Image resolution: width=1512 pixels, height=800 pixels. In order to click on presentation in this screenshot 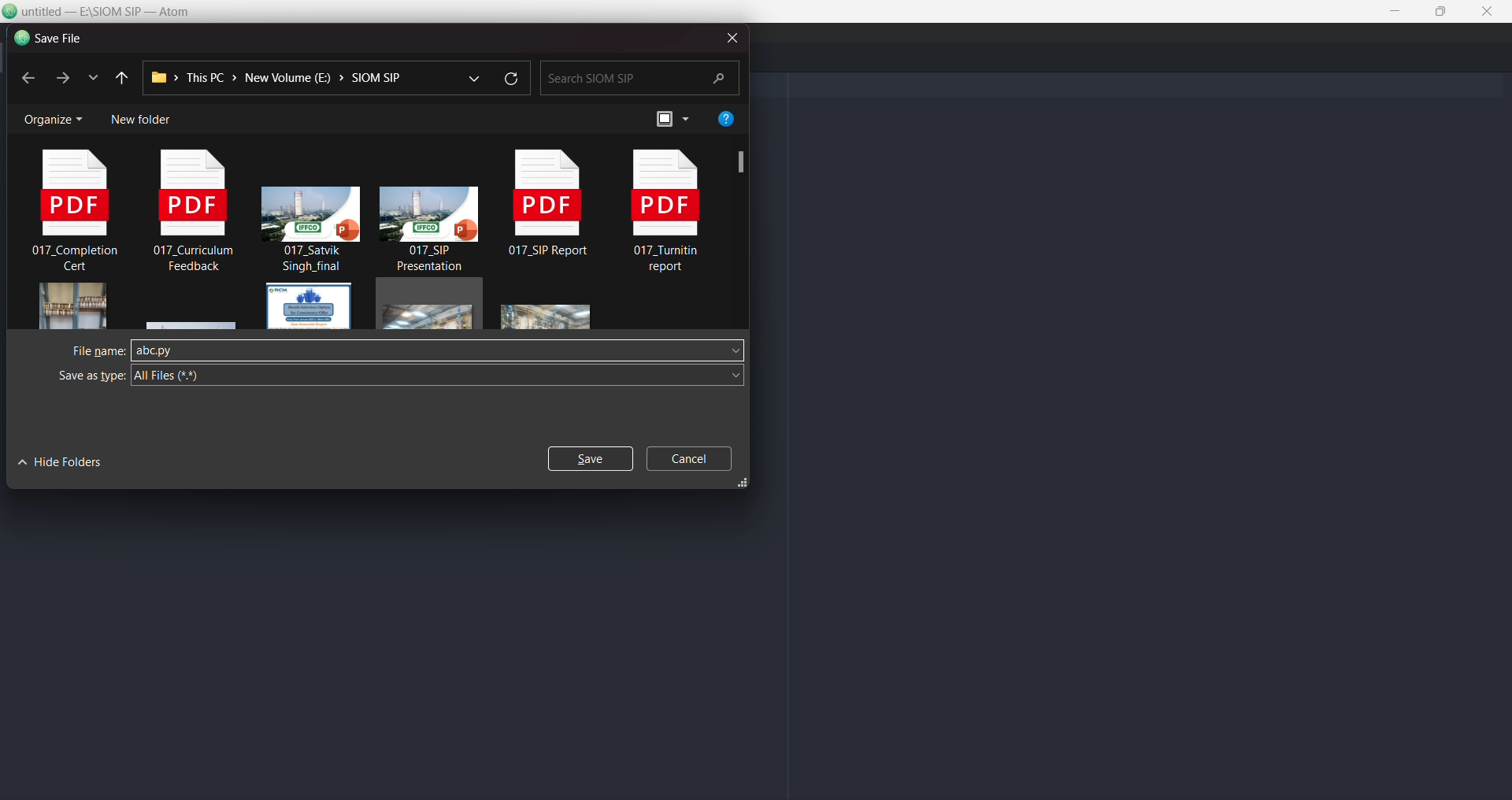, I will do `click(307, 228)`.